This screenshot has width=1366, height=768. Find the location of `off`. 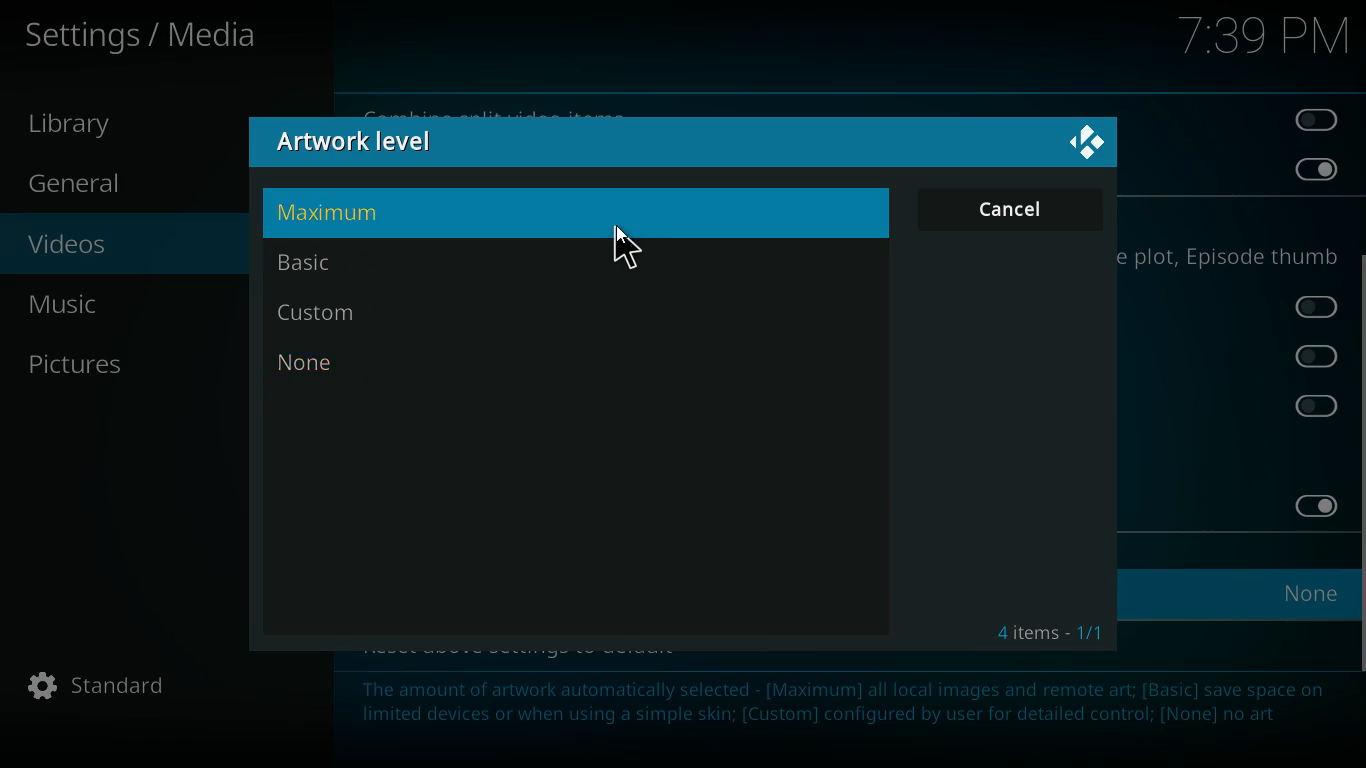

off is located at coordinates (1318, 357).